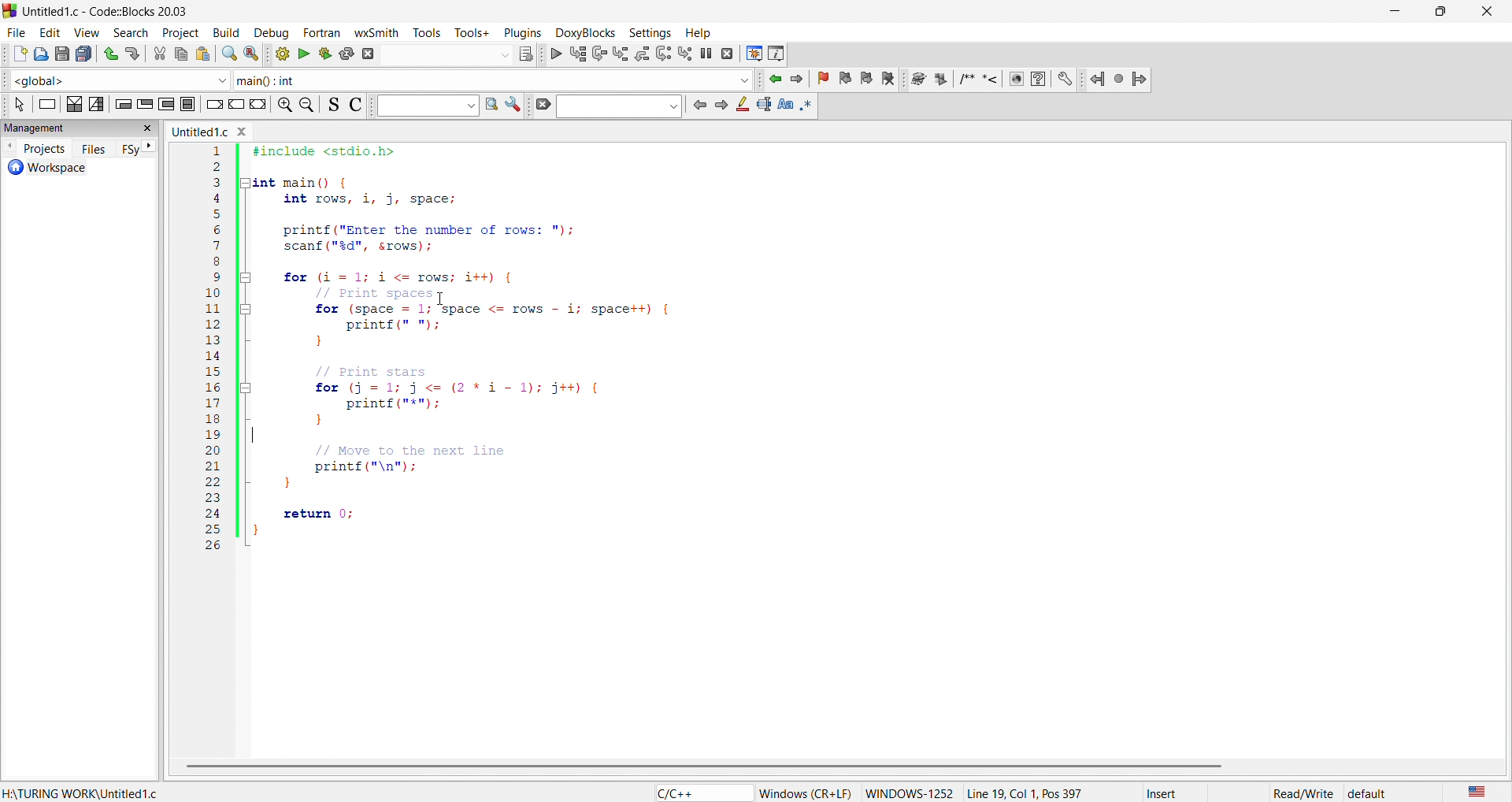 The height and width of the screenshot is (802, 1512). What do you see at coordinates (150, 147) in the screenshot?
I see `next` at bounding box center [150, 147].